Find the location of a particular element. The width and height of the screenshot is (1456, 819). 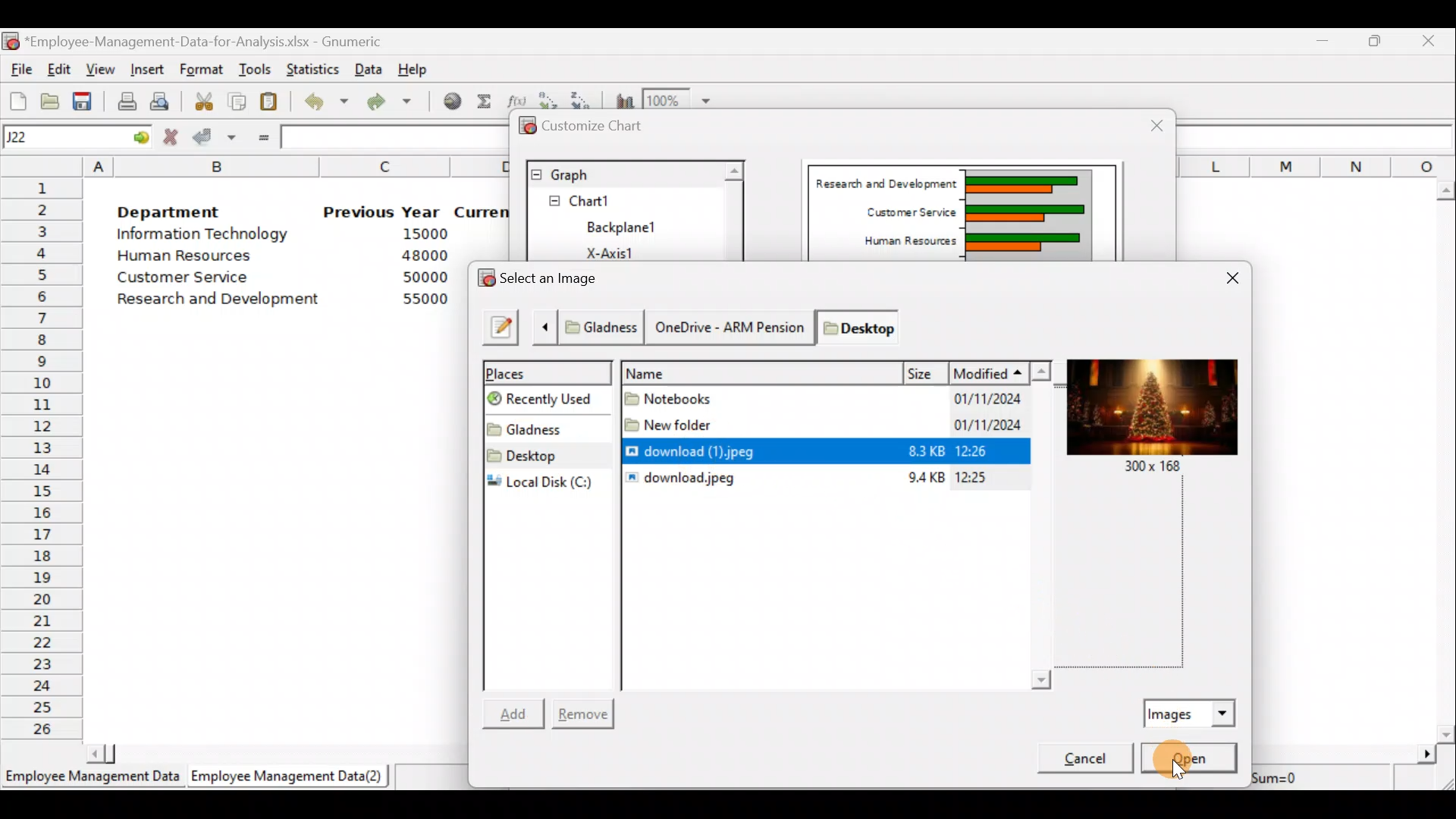

go to is located at coordinates (140, 137).